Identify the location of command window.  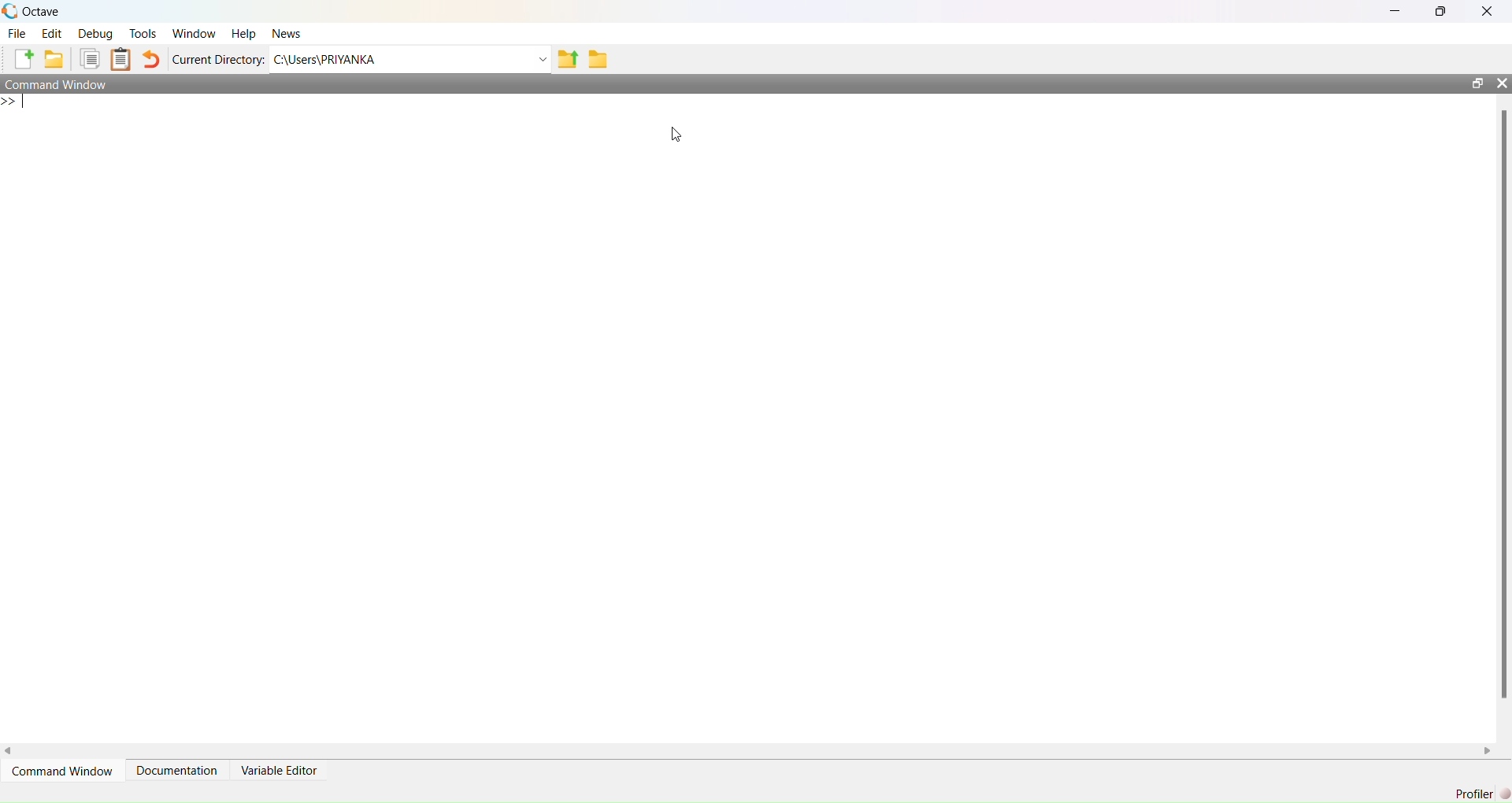
(64, 771).